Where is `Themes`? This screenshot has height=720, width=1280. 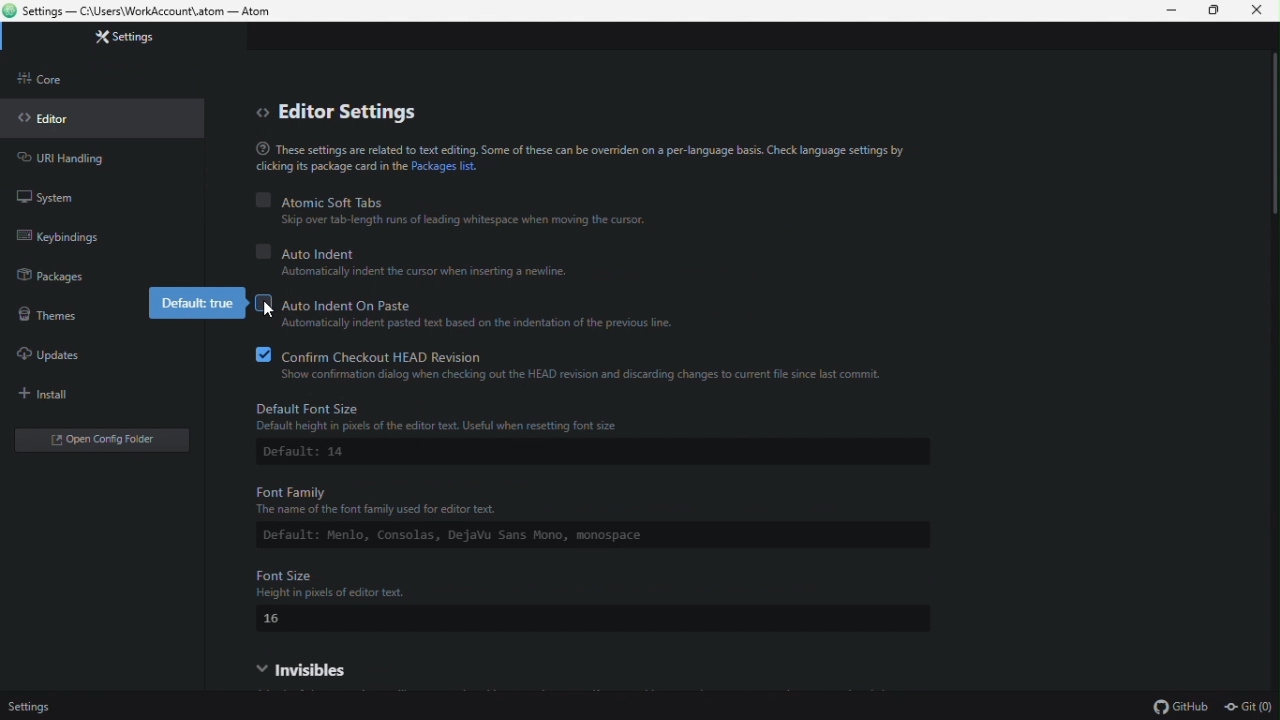
Themes is located at coordinates (59, 316).